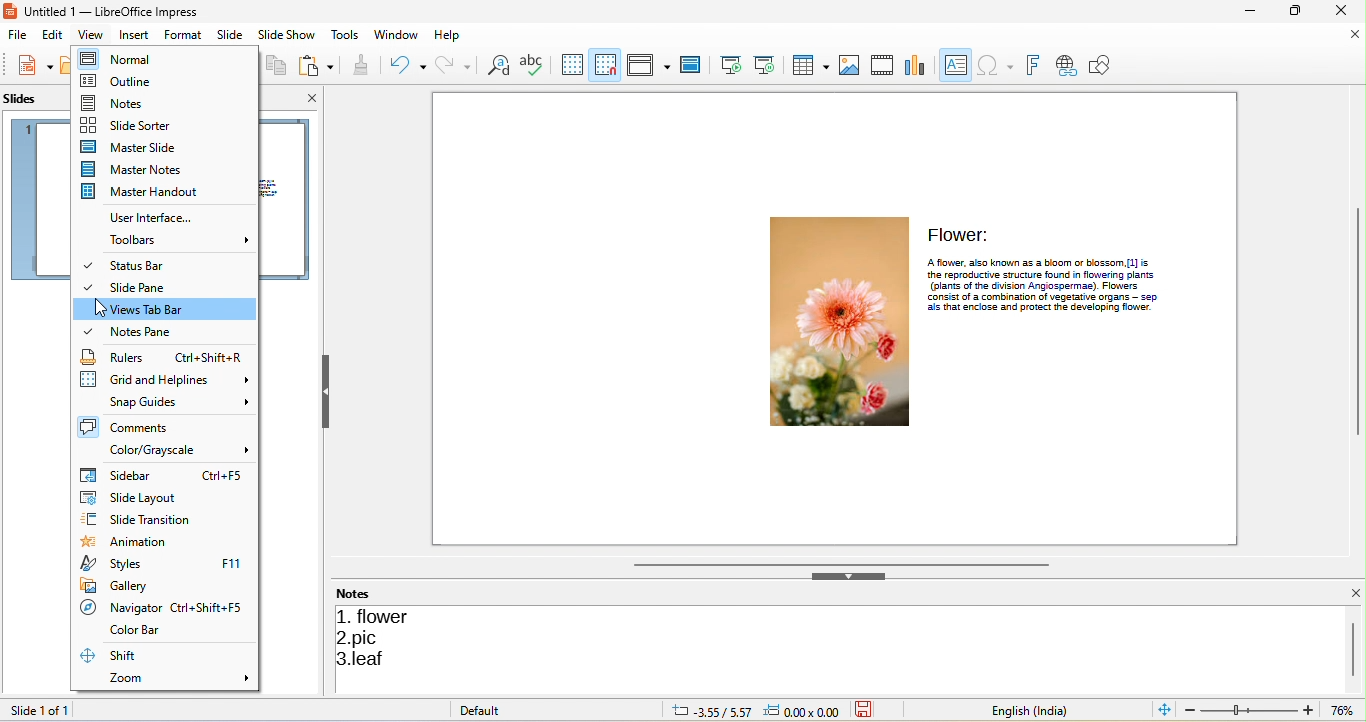  What do you see at coordinates (181, 239) in the screenshot?
I see `toolbars` at bounding box center [181, 239].